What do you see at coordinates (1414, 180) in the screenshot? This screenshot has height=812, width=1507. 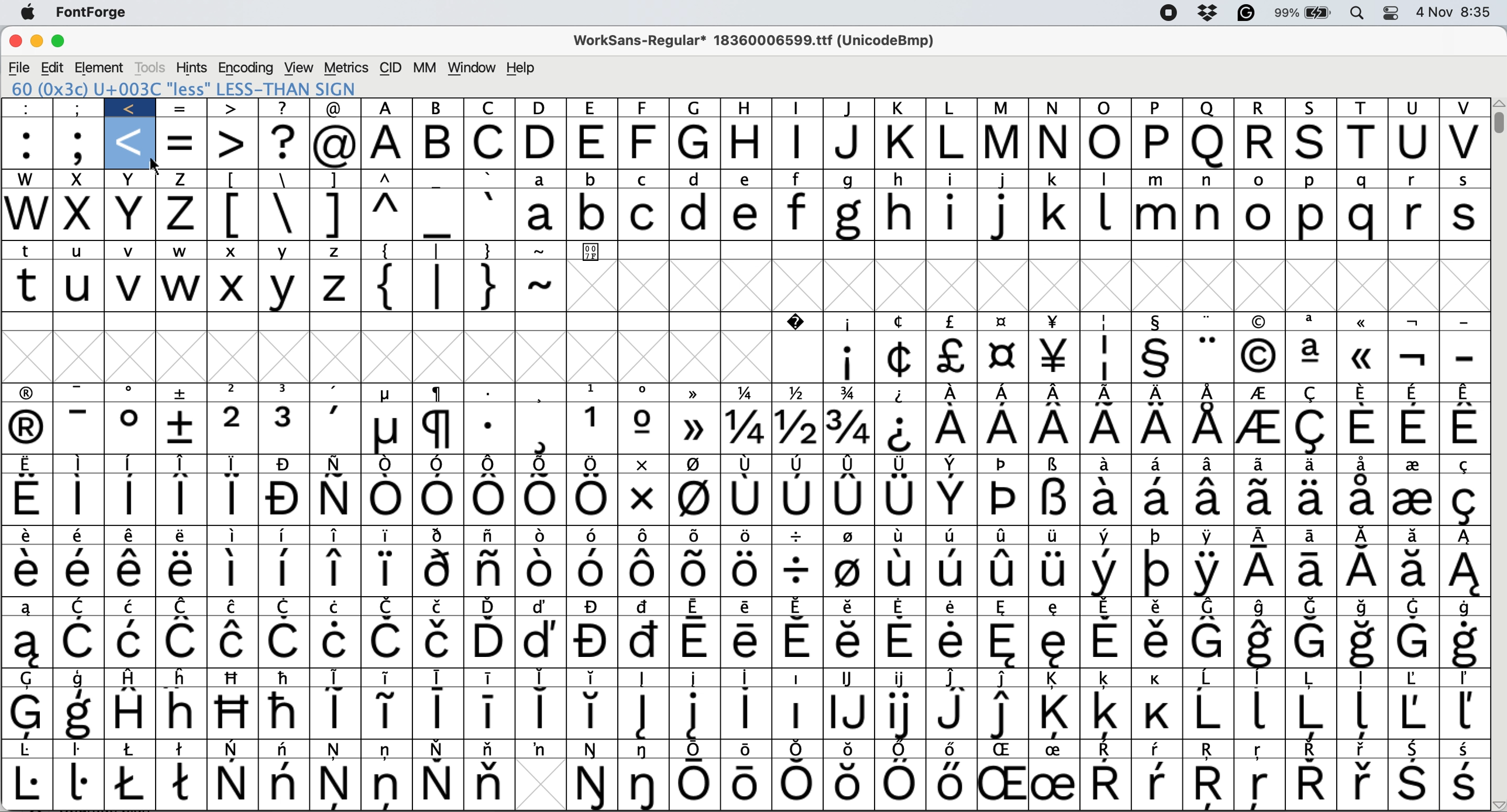 I see `r` at bounding box center [1414, 180].